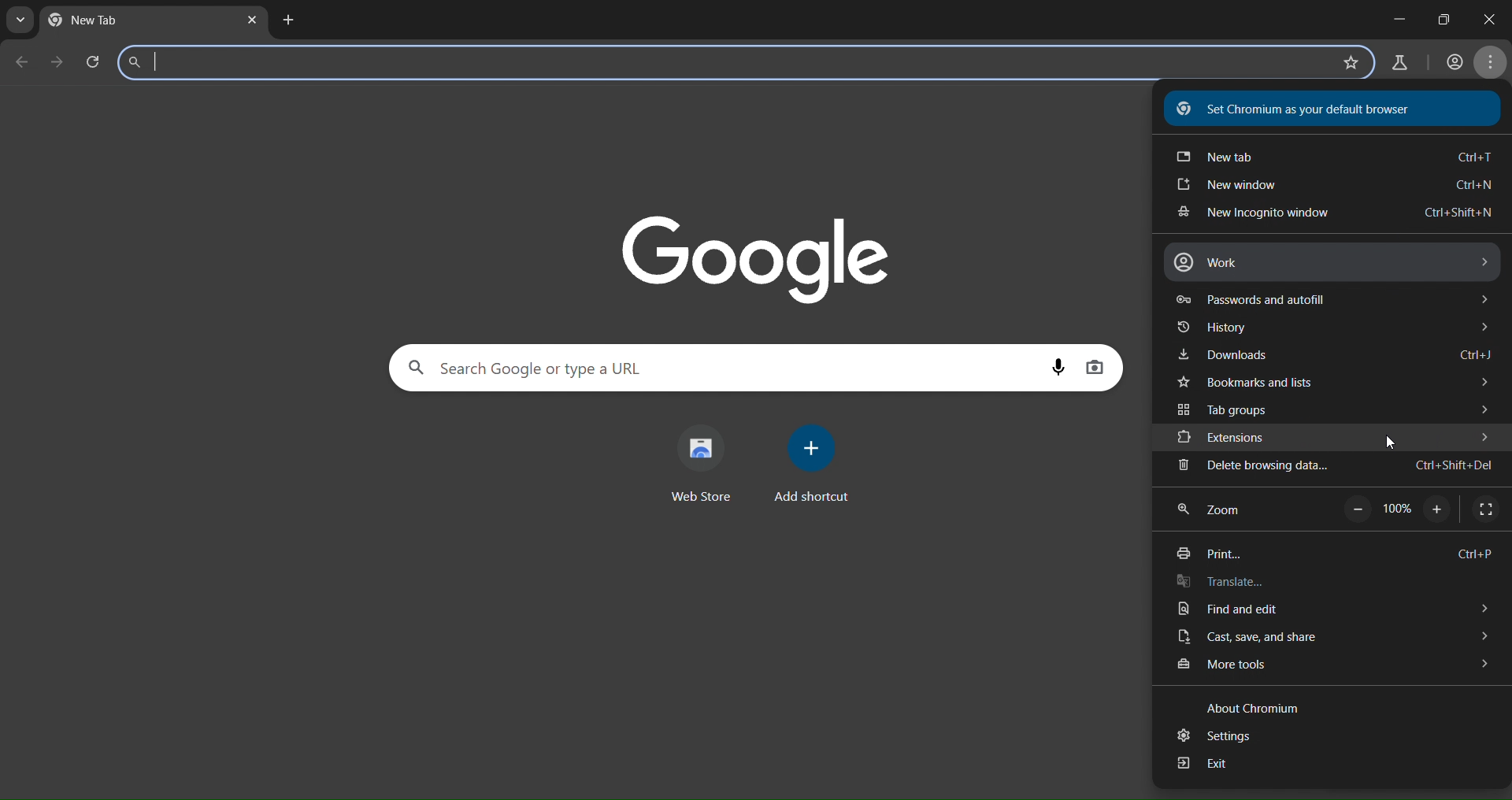 The image size is (1512, 800). What do you see at coordinates (1340, 551) in the screenshot?
I see `print` at bounding box center [1340, 551].